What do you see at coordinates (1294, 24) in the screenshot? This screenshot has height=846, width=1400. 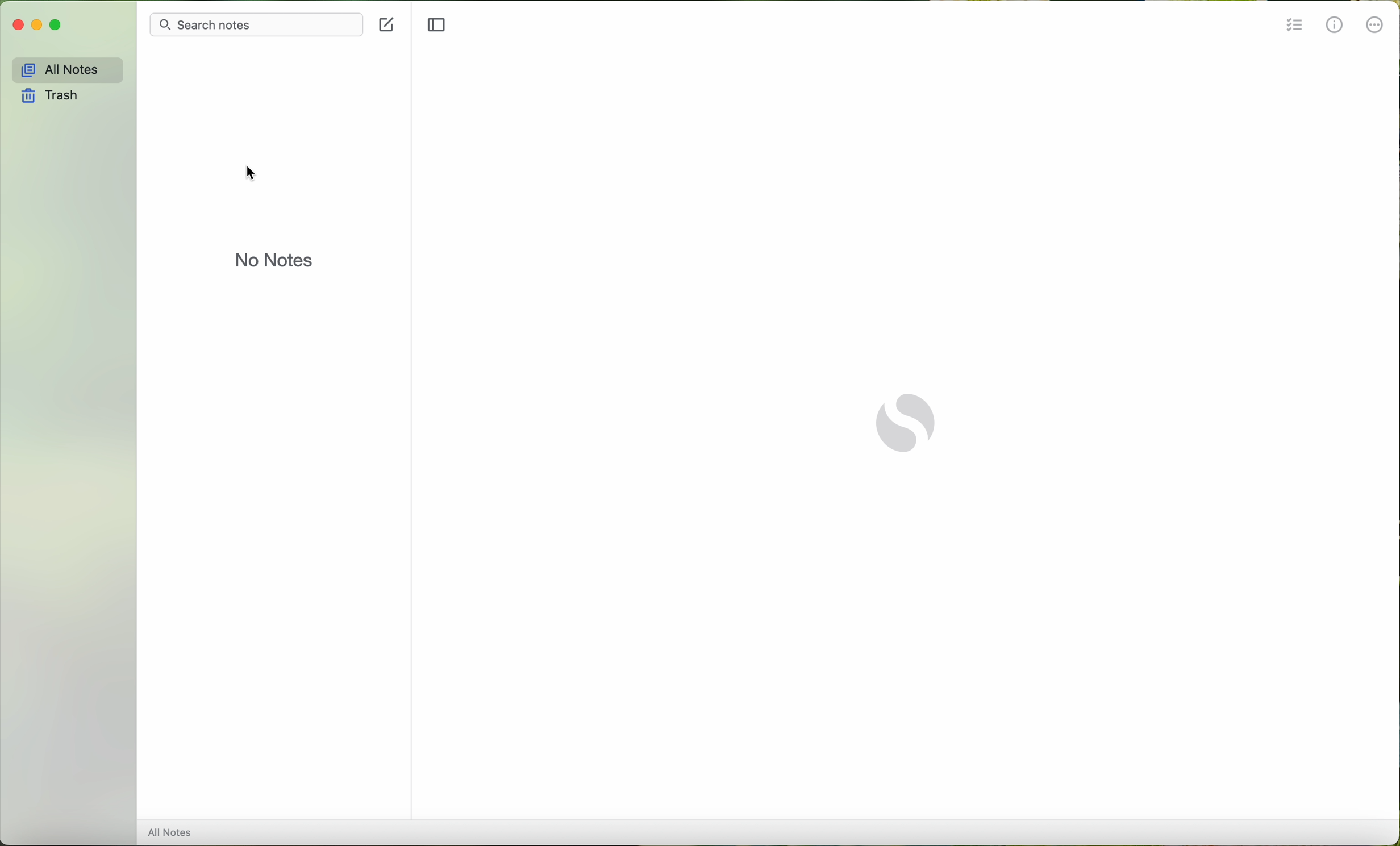 I see `insert checklist` at bounding box center [1294, 24].